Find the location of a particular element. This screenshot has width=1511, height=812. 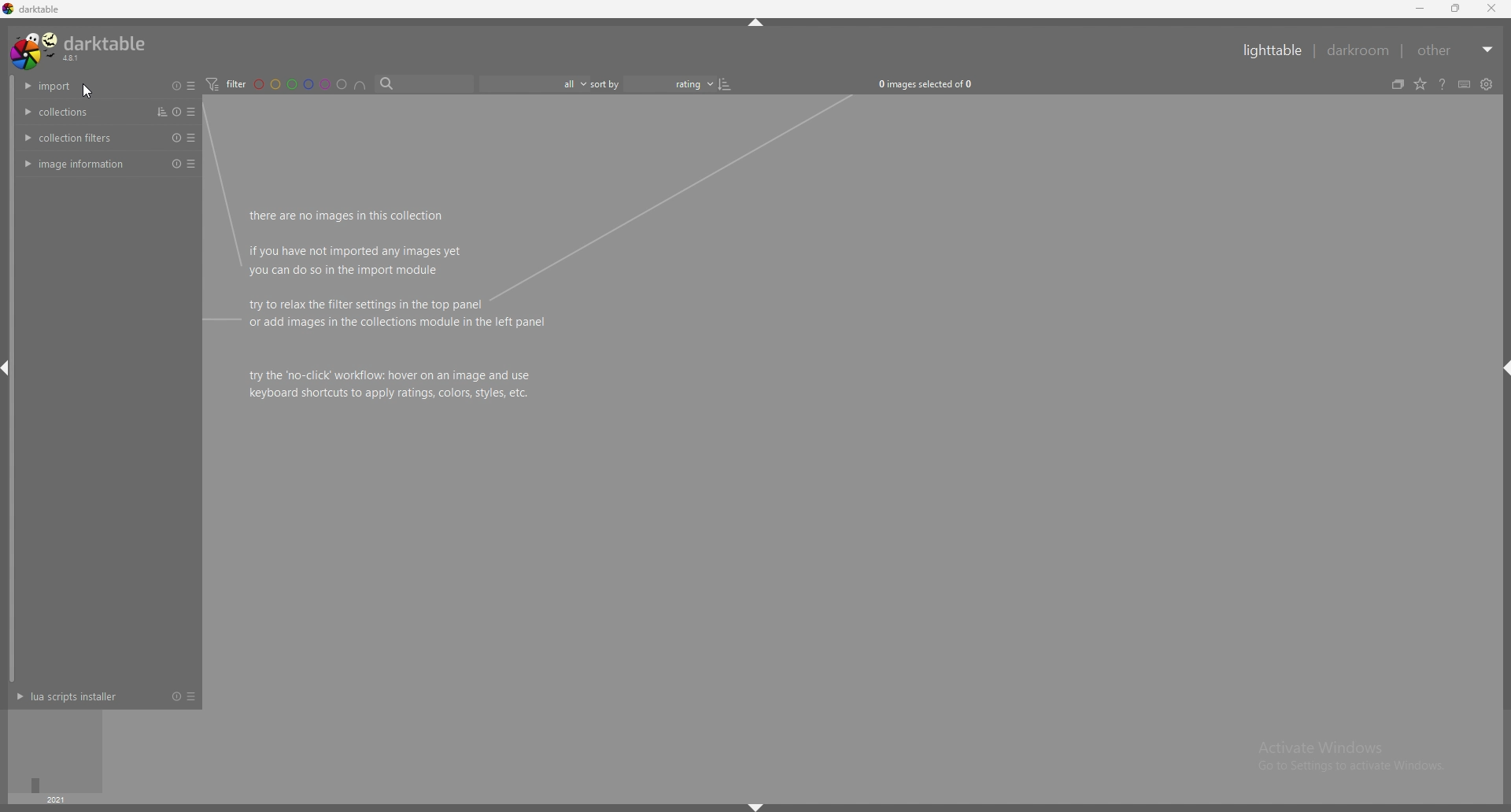

there are no images in this collection if you have not imported any images yet you can do so in the import module try to relax the filter settings in the top panel or add the images in the collection module in the left panel try the 'no-click' workflow: hover on an image and use keyboard shortcuts to apply ratings, colors, styles, etc is located at coordinates (402, 305).